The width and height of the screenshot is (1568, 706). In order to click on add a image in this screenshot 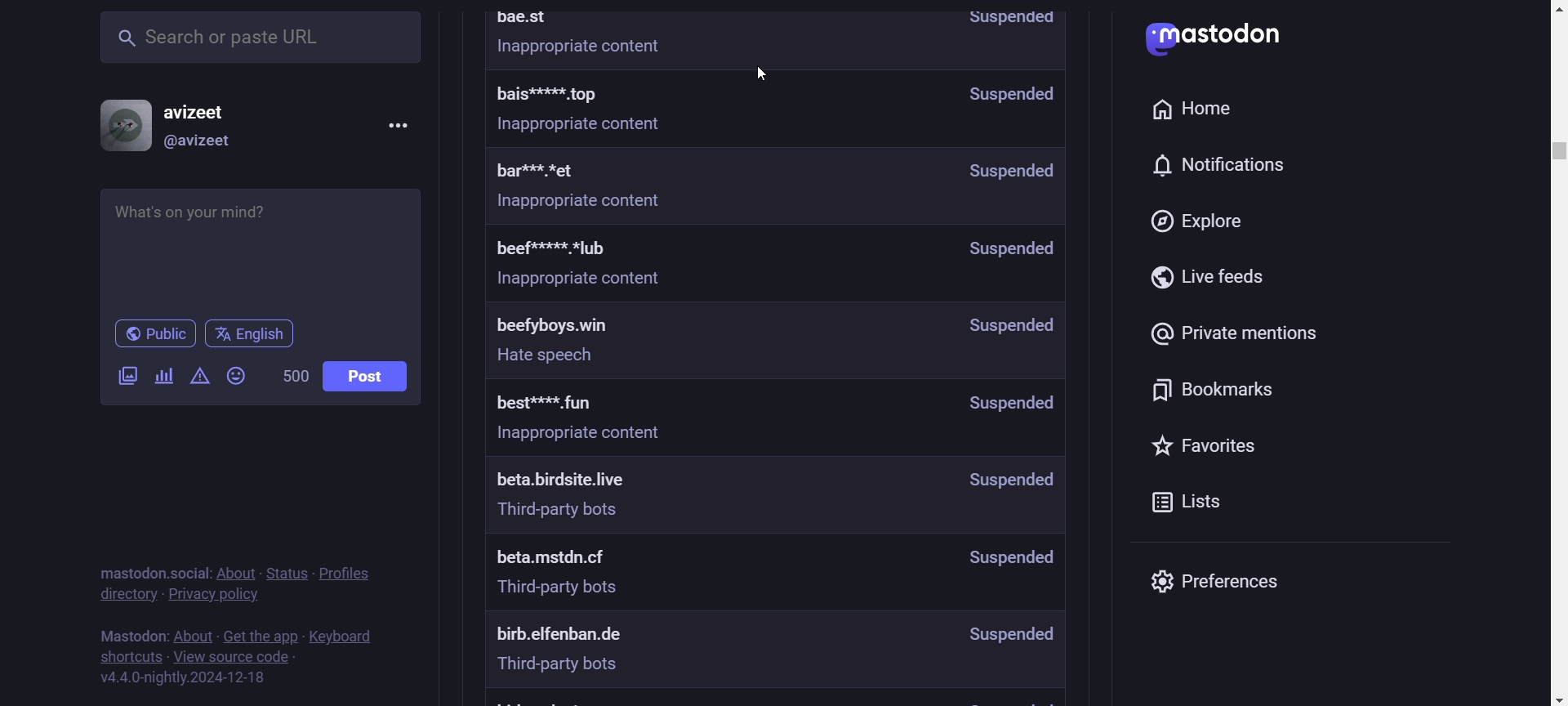, I will do `click(129, 380)`.